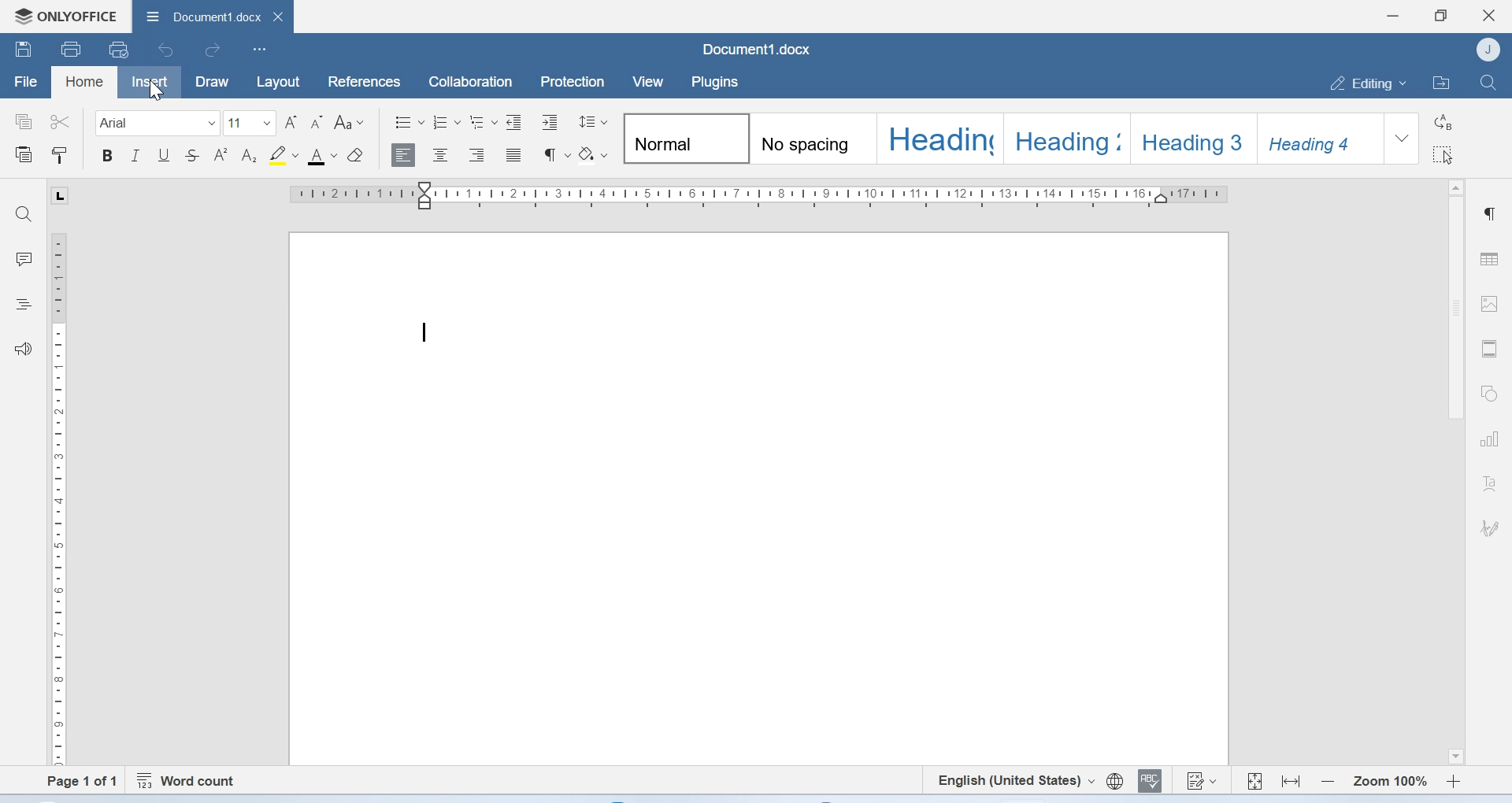  Describe the element at coordinates (2164, 286) in the screenshot. I see `Scroll up` at that location.